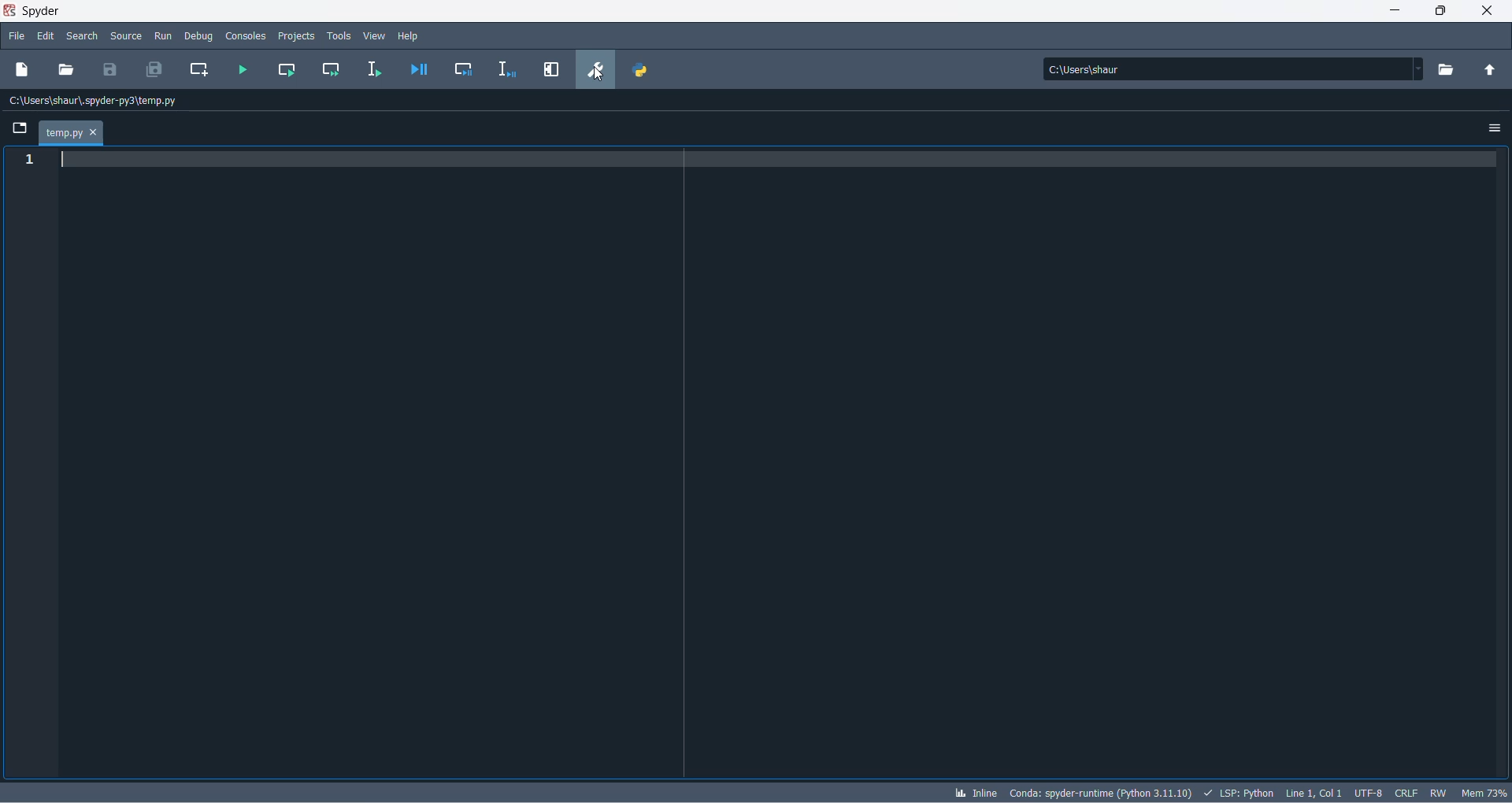 The height and width of the screenshot is (803, 1512). I want to click on path dropdown, so click(1421, 71).